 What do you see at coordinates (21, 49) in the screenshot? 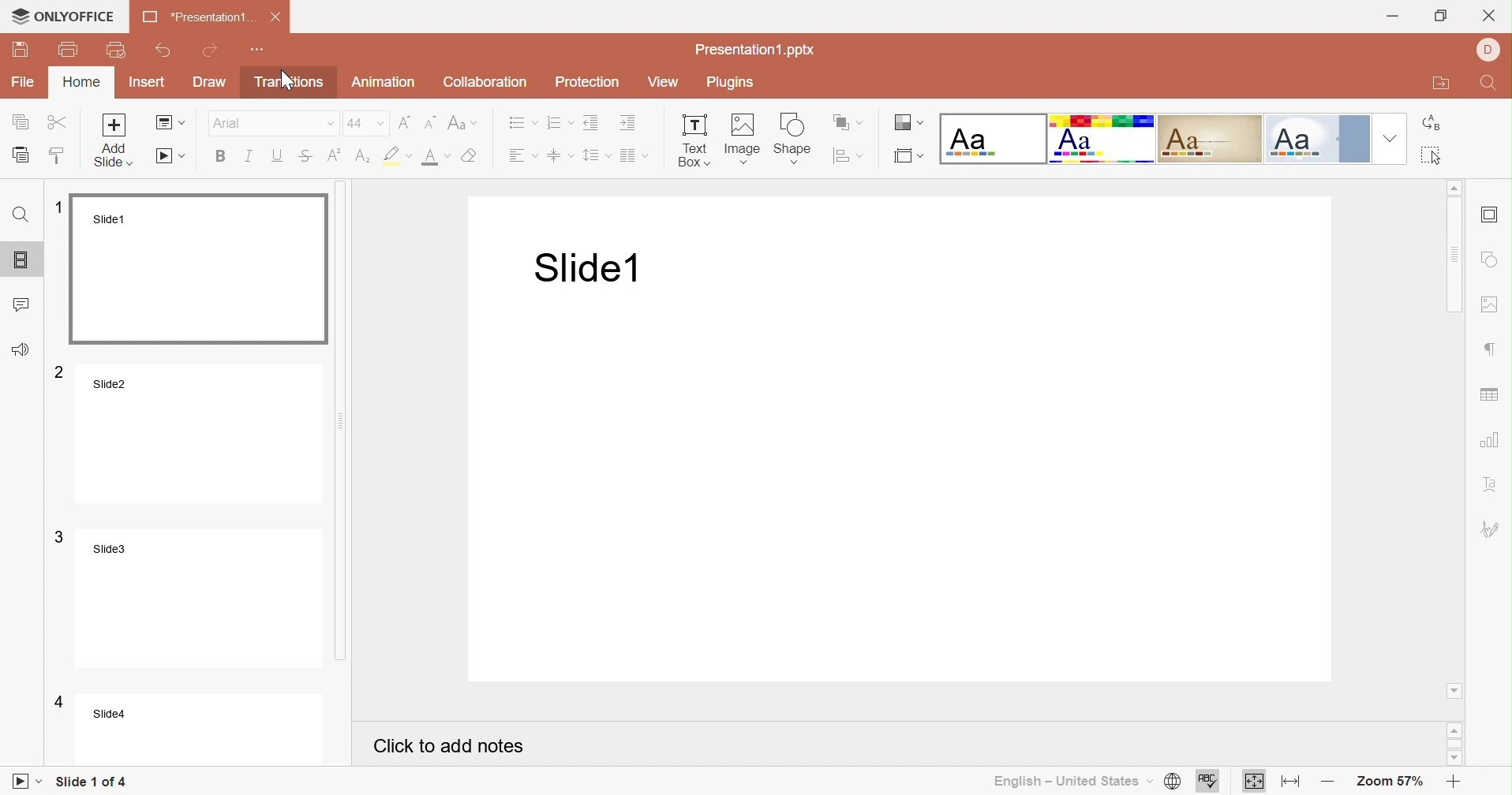
I see `Save` at bounding box center [21, 49].